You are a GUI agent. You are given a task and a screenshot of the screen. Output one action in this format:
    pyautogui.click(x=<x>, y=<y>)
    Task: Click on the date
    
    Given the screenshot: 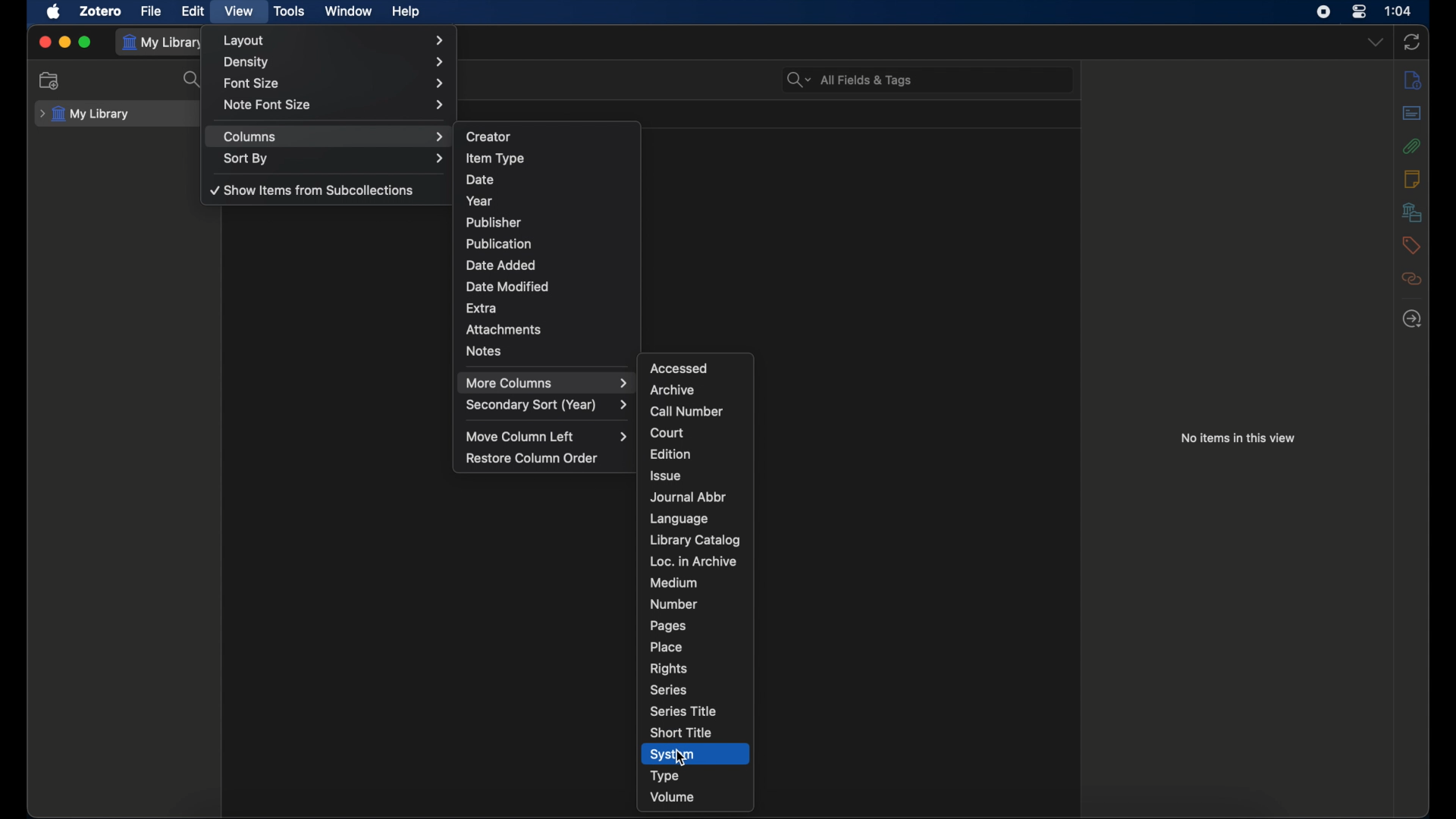 What is the action you would take?
    pyautogui.click(x=481, y=180)
    